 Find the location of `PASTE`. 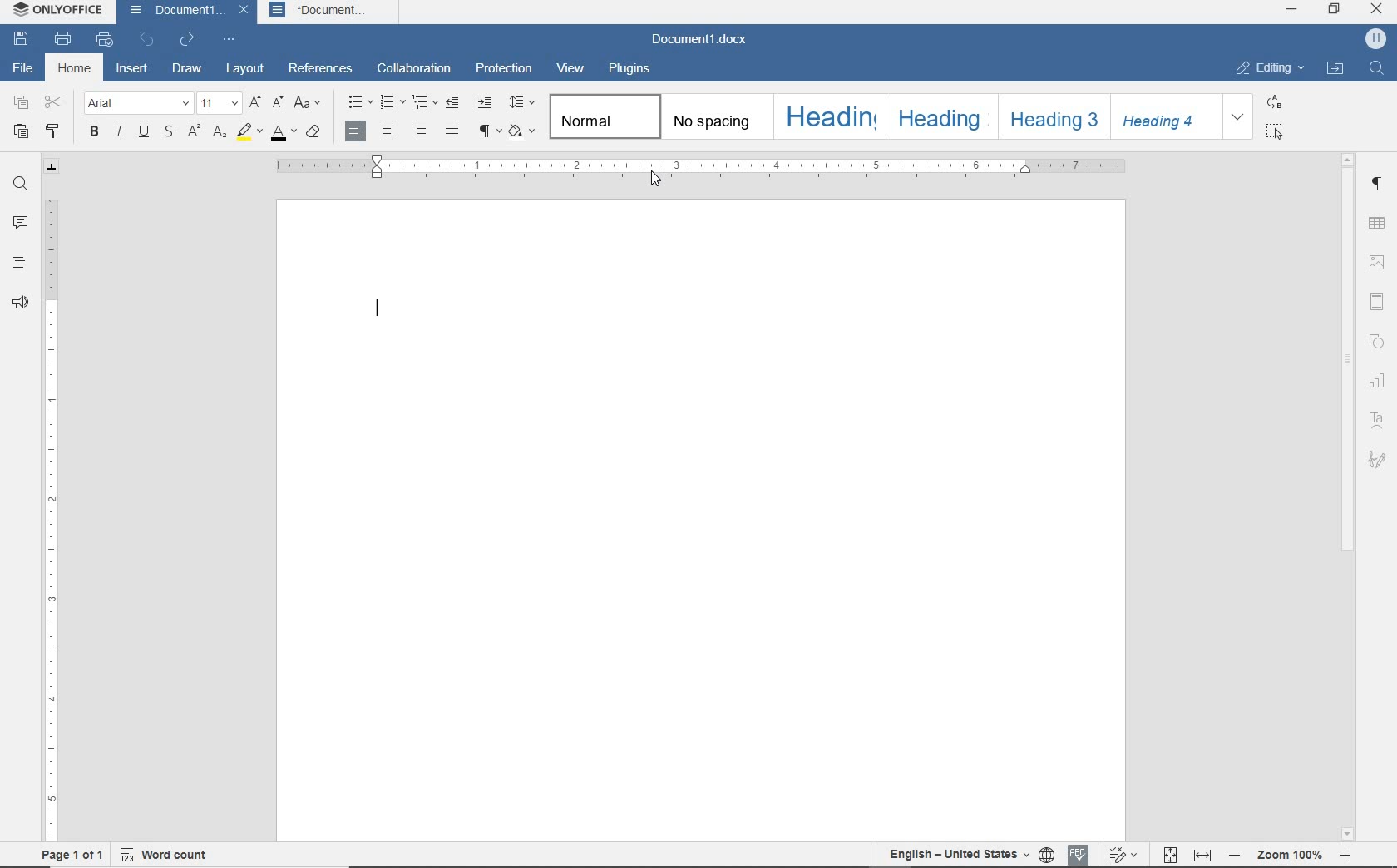

PASTE is located at coordinates (22, 133).